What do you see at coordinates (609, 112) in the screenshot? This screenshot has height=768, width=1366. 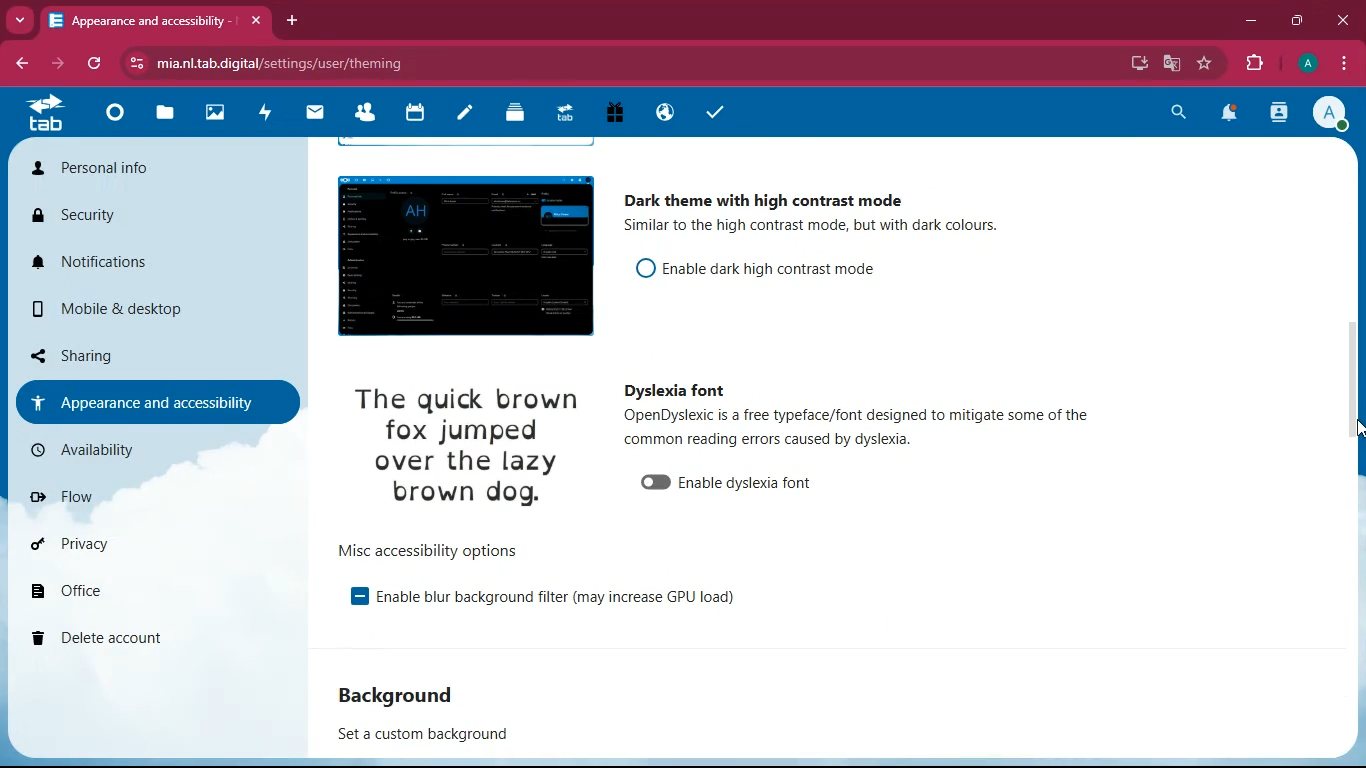 I see `gift` at bounding box center [609, 112].